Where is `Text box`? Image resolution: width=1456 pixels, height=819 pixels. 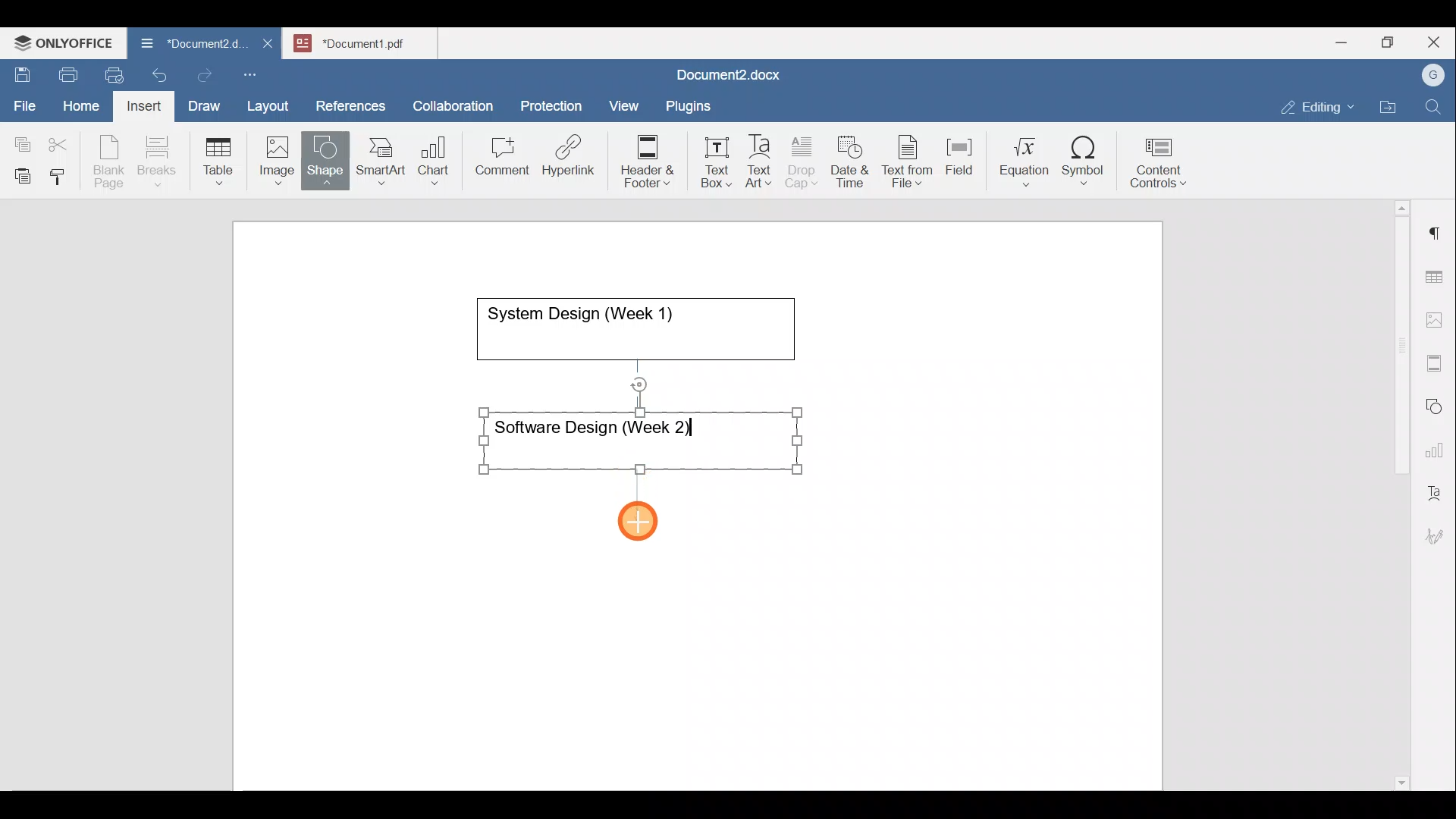 Text box is located at coordinates (706, 162).